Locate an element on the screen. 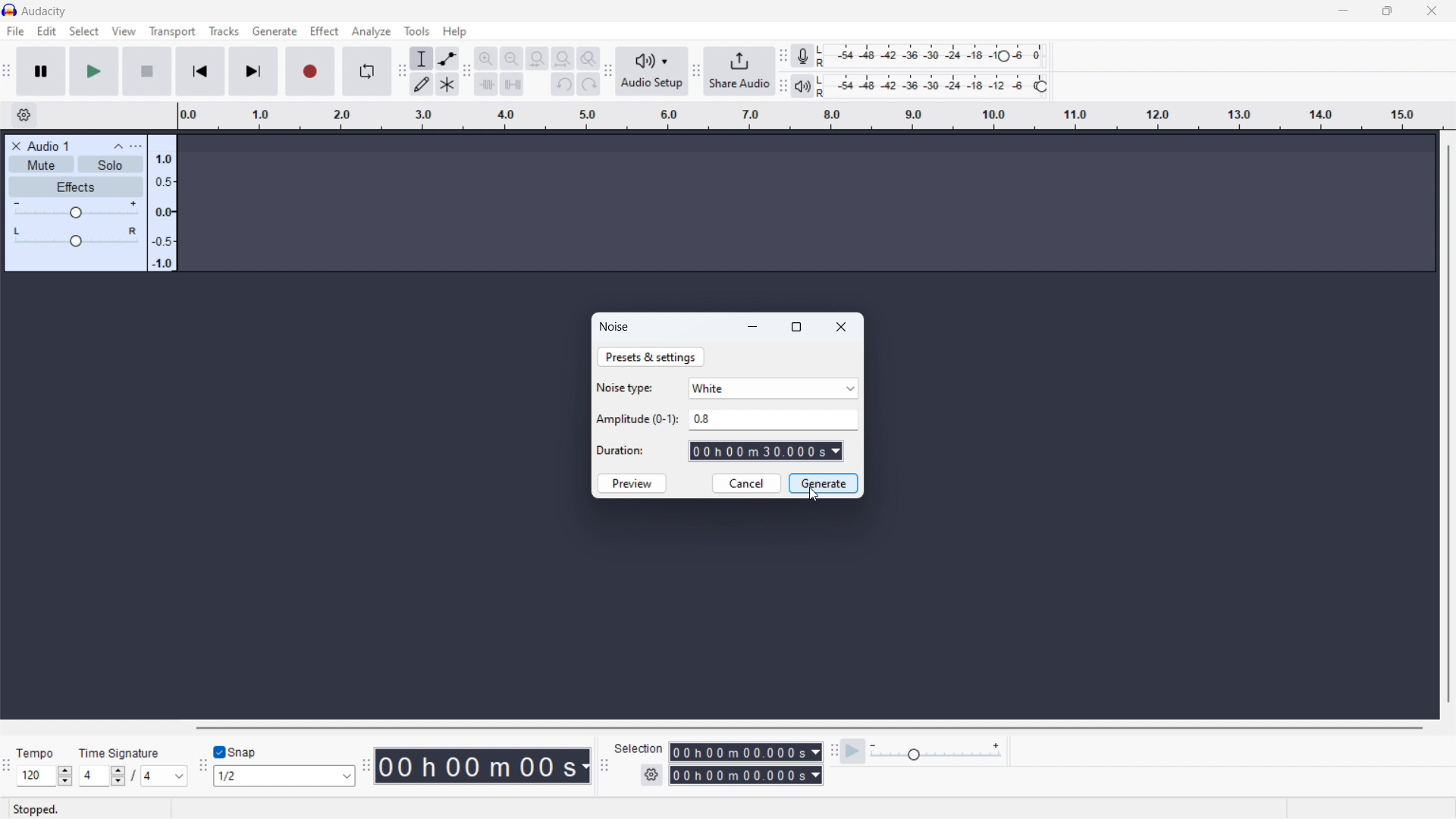  playback meter is located at coordinates (802, 86).